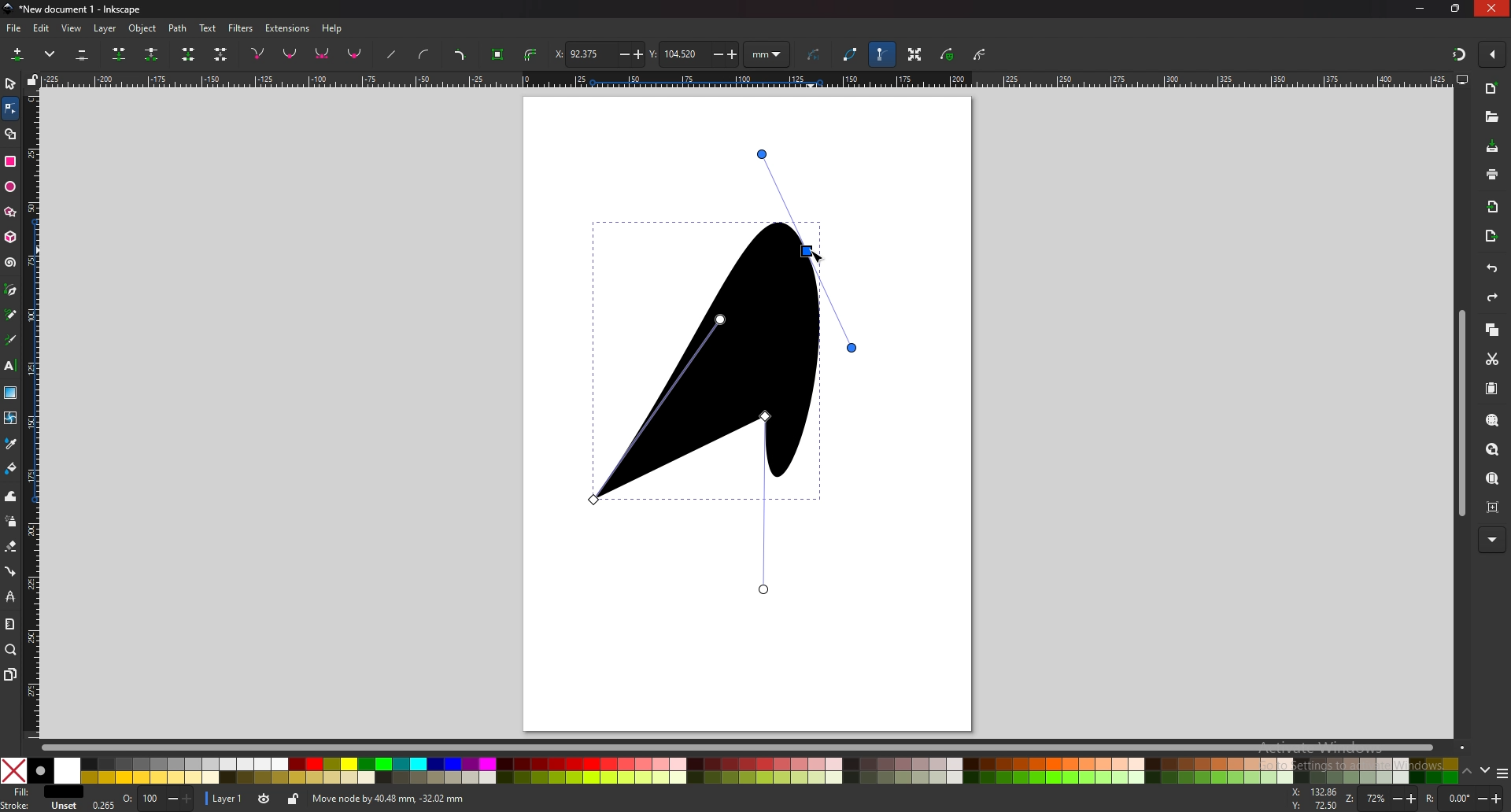 The height and width of the screenshot is (812, 1511). Describe the element at coordinates (1381, 798) in the screenshot. I see `zoom` at that location.